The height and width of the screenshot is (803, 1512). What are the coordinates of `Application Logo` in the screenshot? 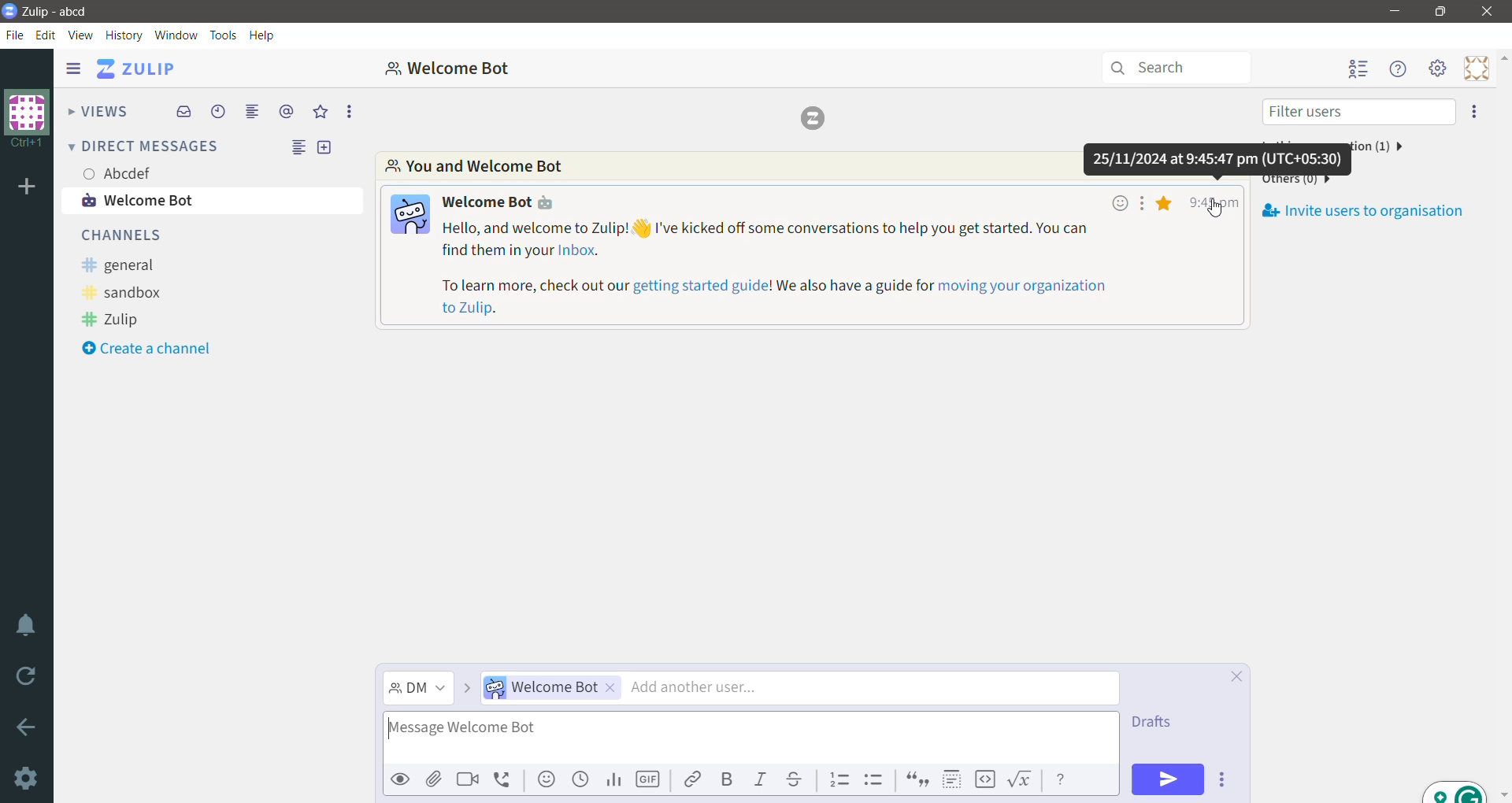 It's located at (9, 12).